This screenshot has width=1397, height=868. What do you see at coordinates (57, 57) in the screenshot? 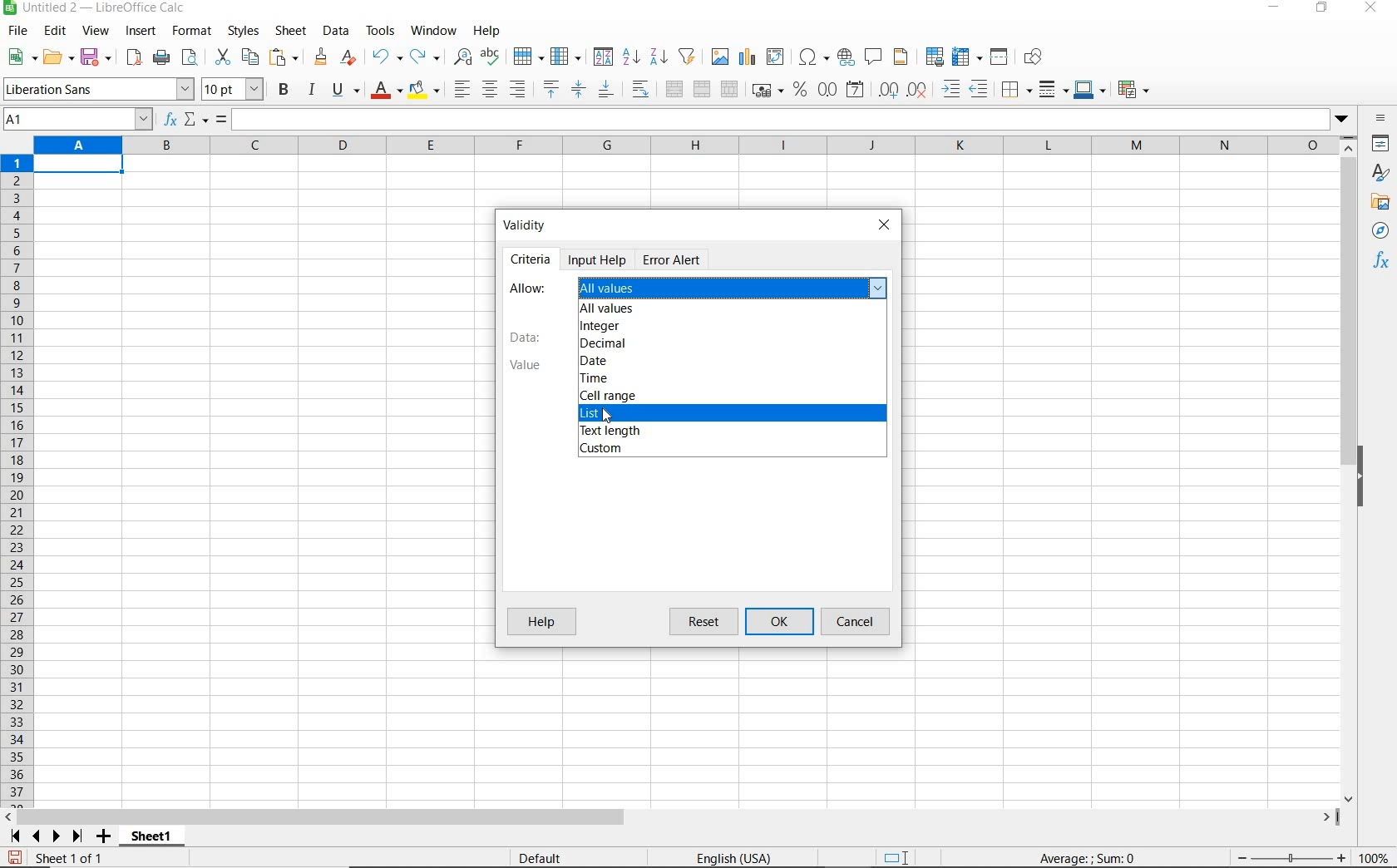
I see `open` at bounding box center [57, 57].